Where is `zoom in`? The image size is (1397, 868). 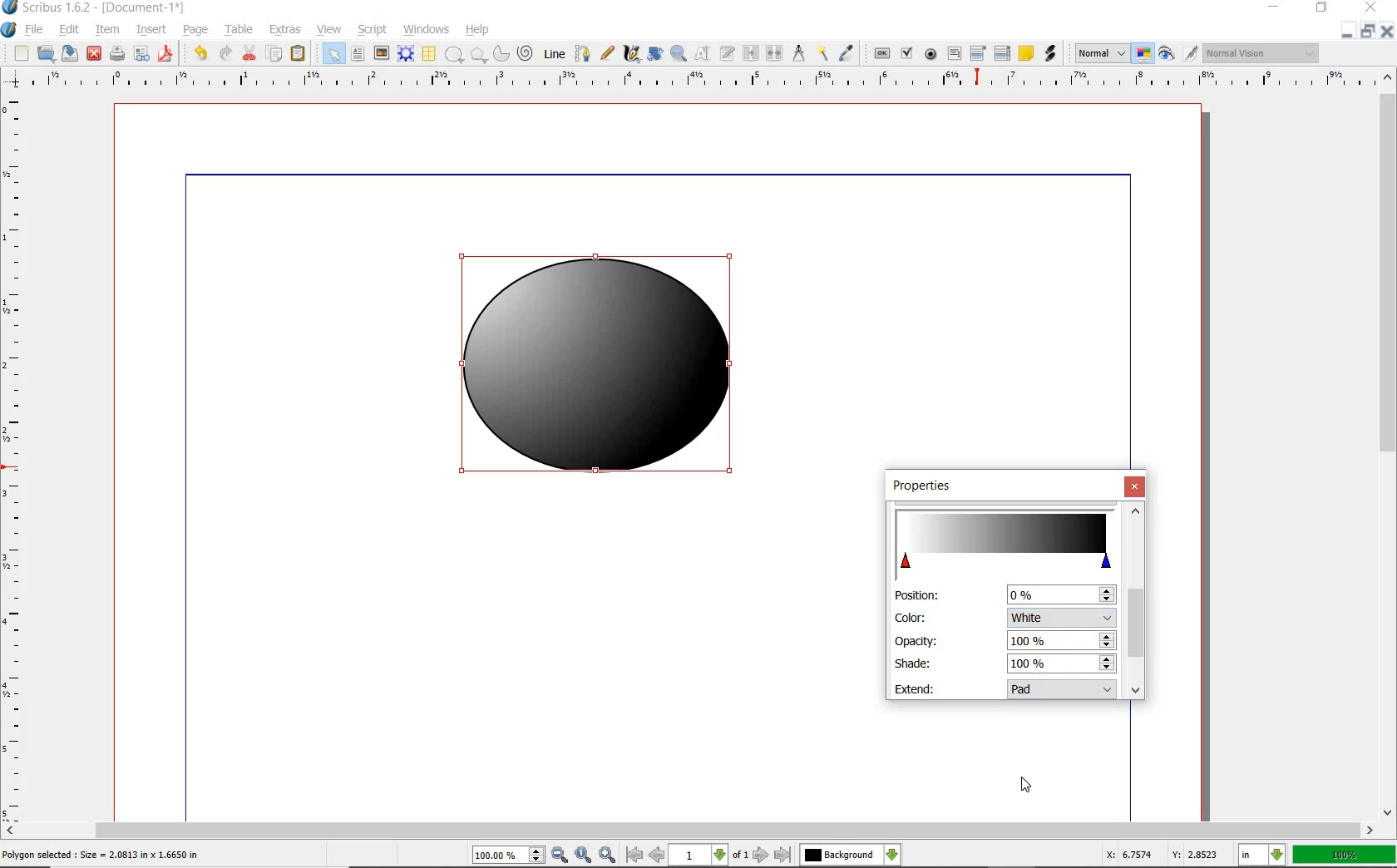 zoom in is located at coordinates (609, 854).